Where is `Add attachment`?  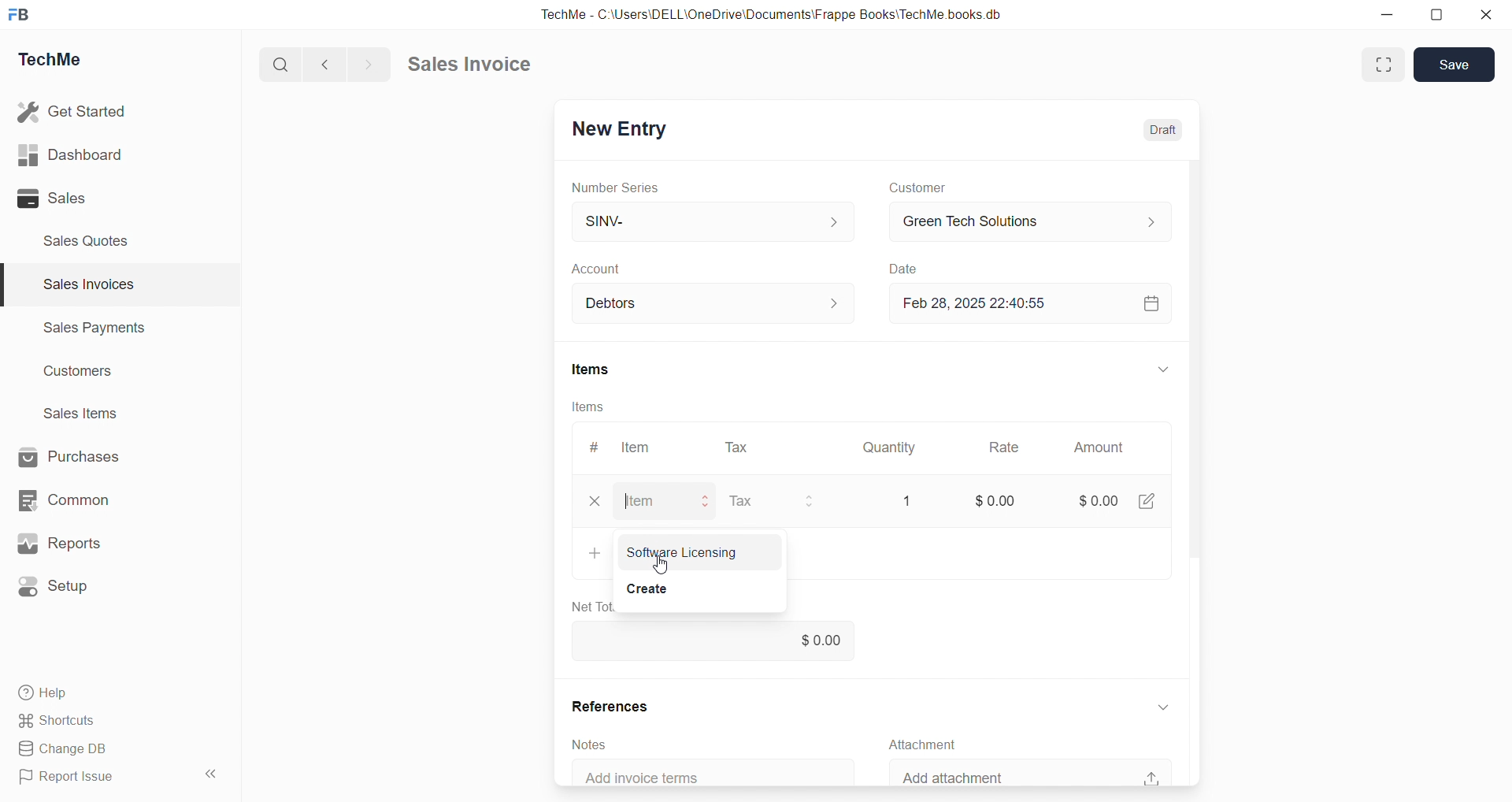
Add attachment is located at coordinates (957, 775).